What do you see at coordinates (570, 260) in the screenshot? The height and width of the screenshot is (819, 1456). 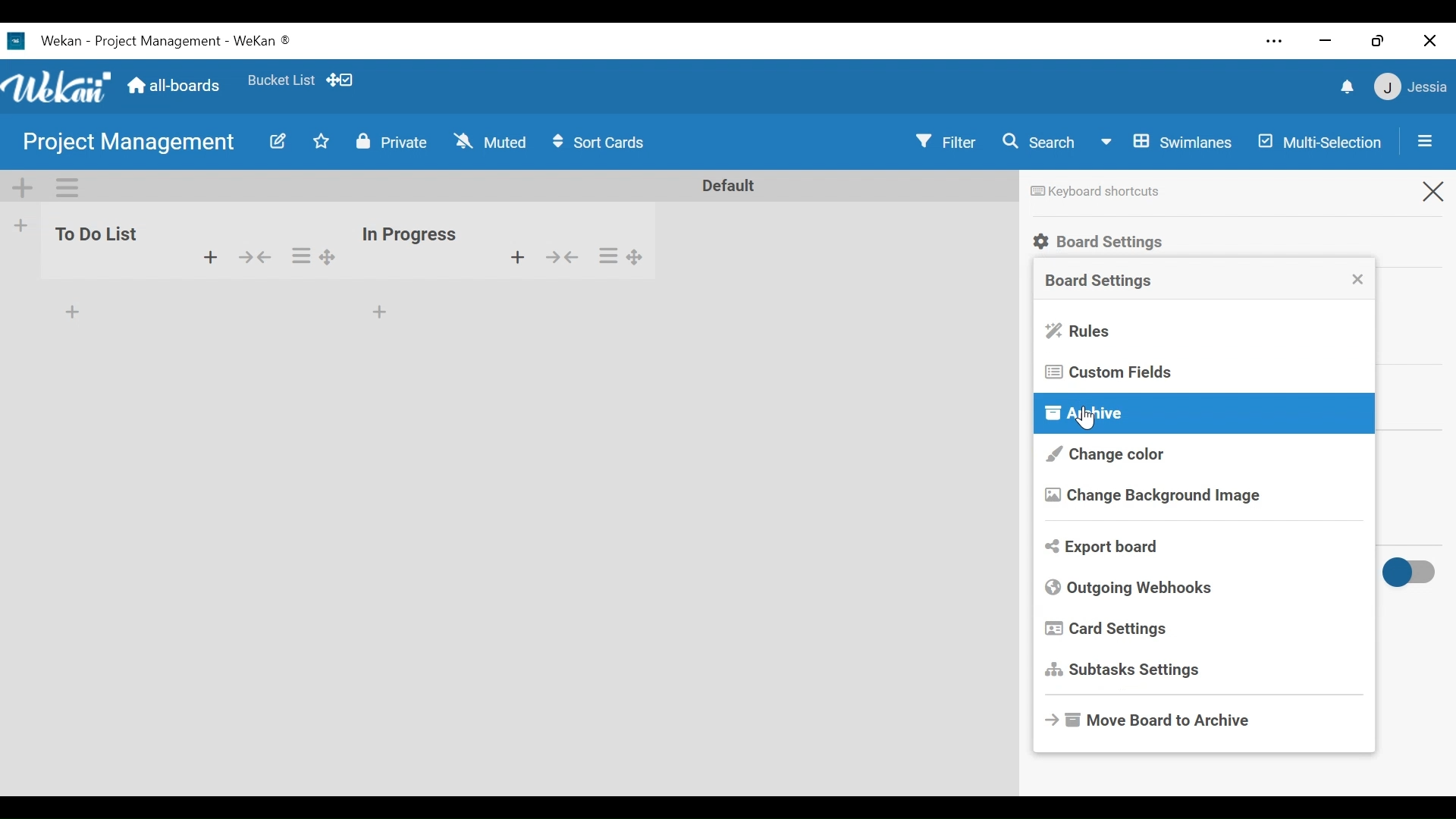 I see `show/hide` at bounding box center [570, 260].